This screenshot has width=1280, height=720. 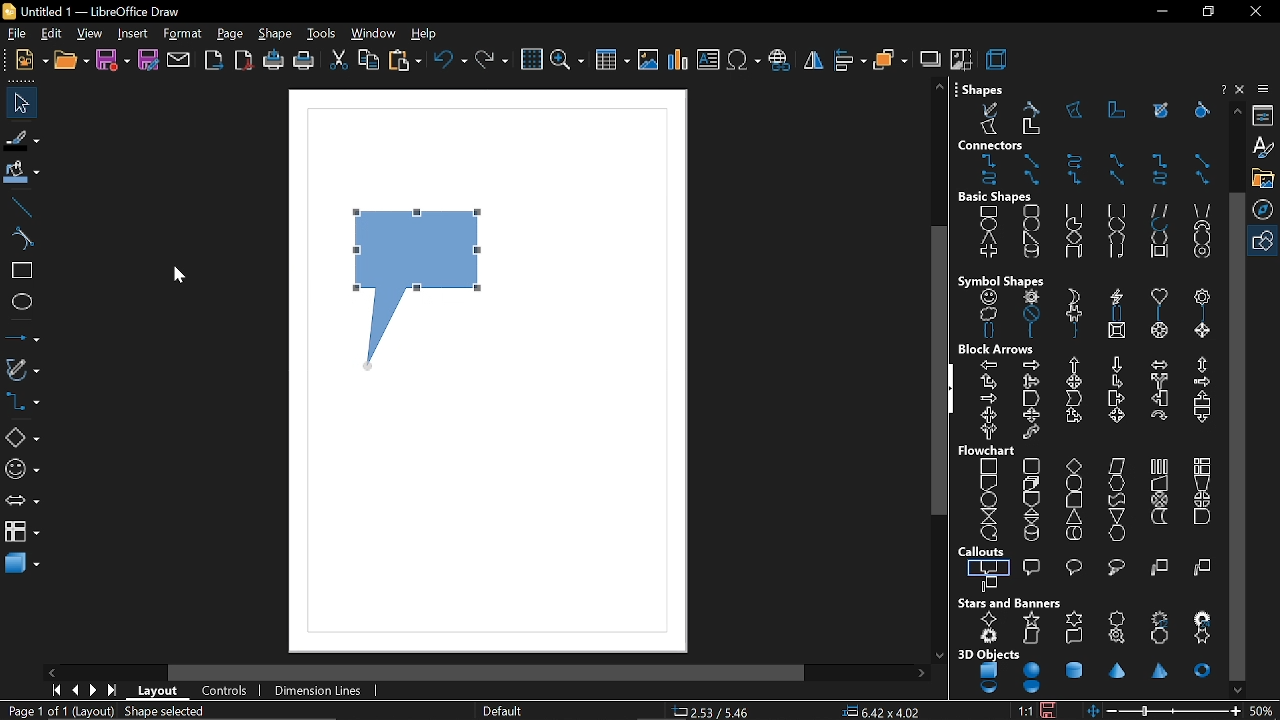 I want to click on close, so click(x=1241, y=90).